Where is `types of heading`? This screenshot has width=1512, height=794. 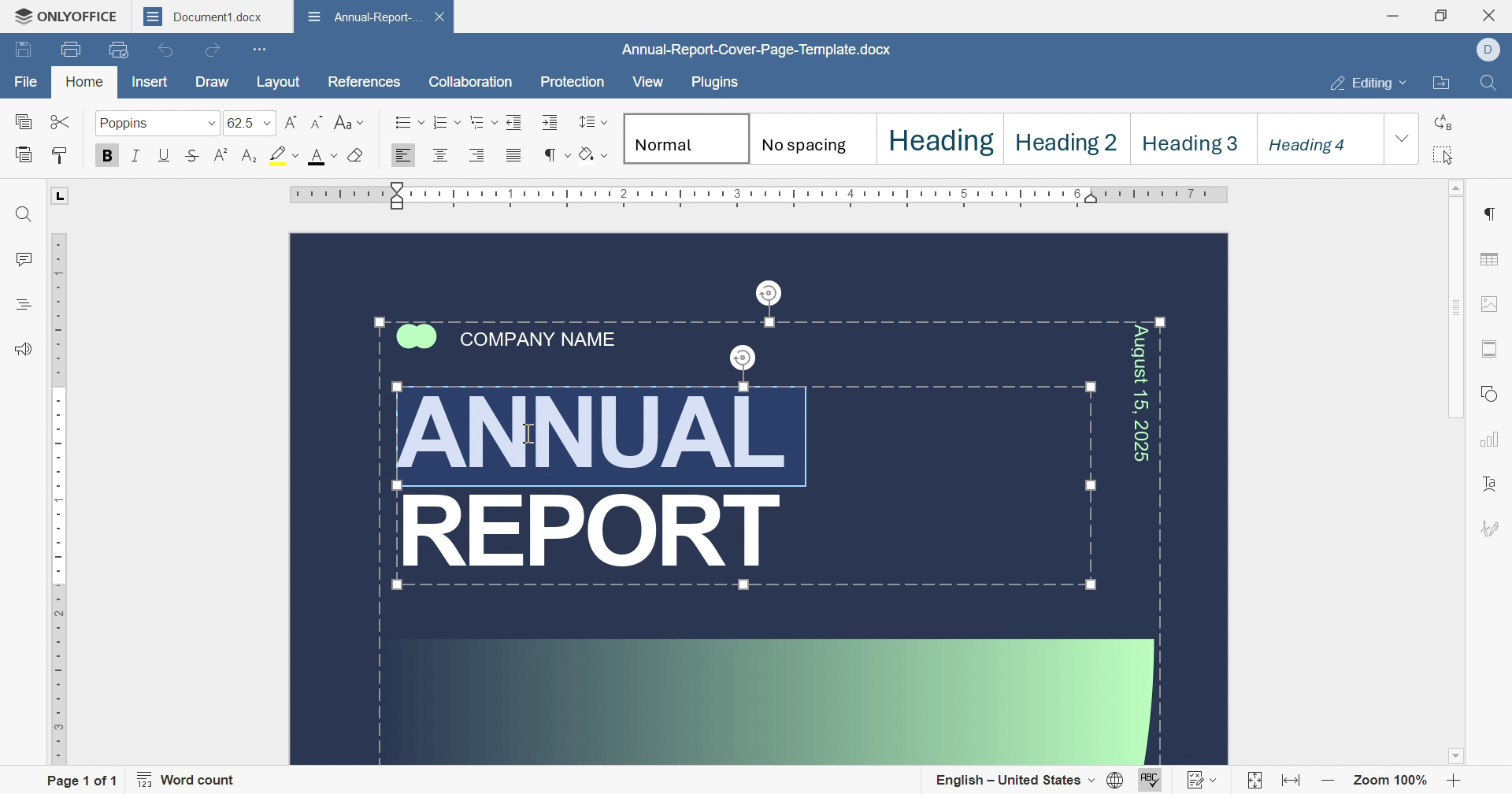 types of heading is located at coordinates (1002, 135).